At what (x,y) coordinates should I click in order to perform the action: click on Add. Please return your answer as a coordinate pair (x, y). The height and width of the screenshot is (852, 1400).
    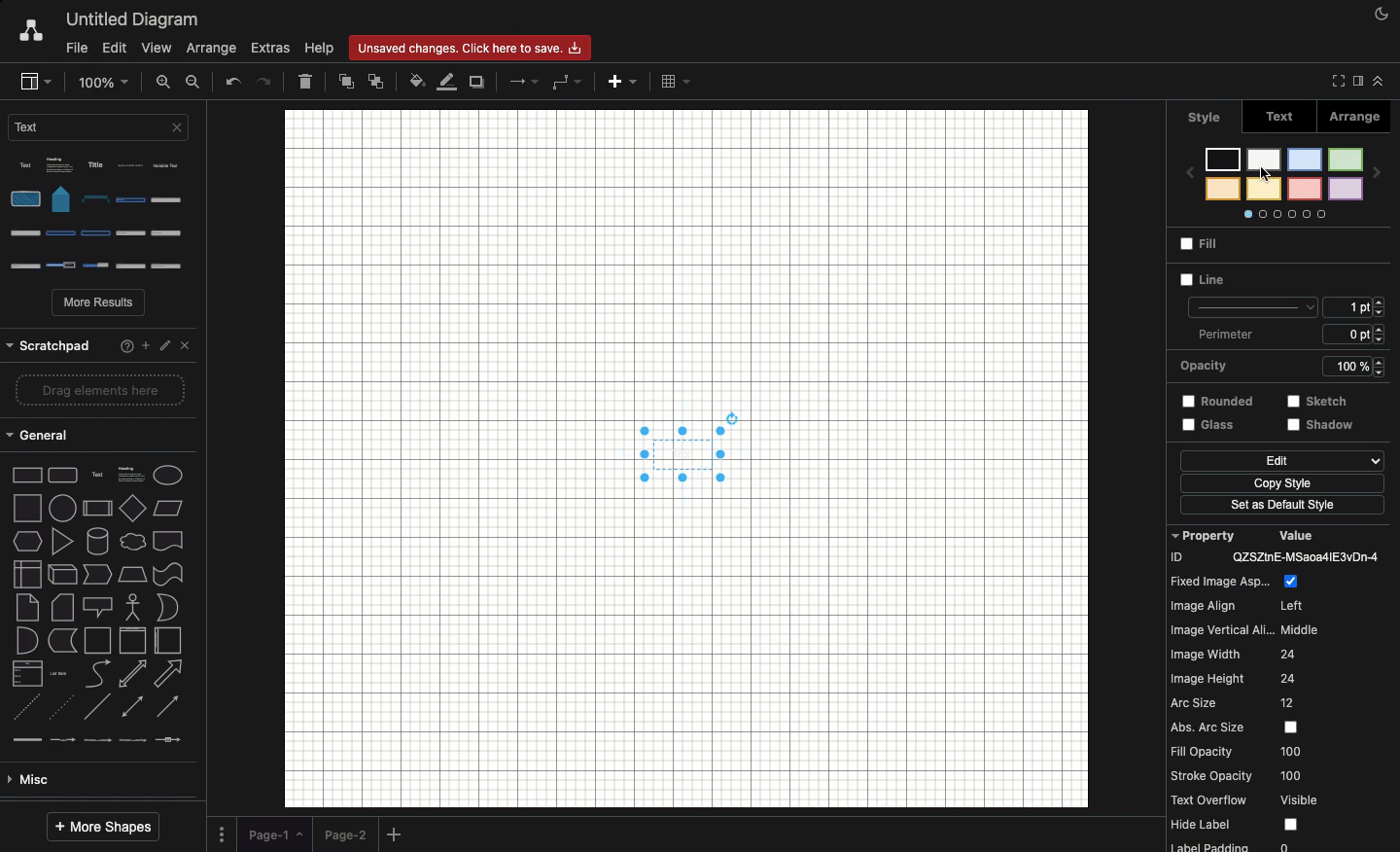
    Looking at the image, I should click on (620, 85).